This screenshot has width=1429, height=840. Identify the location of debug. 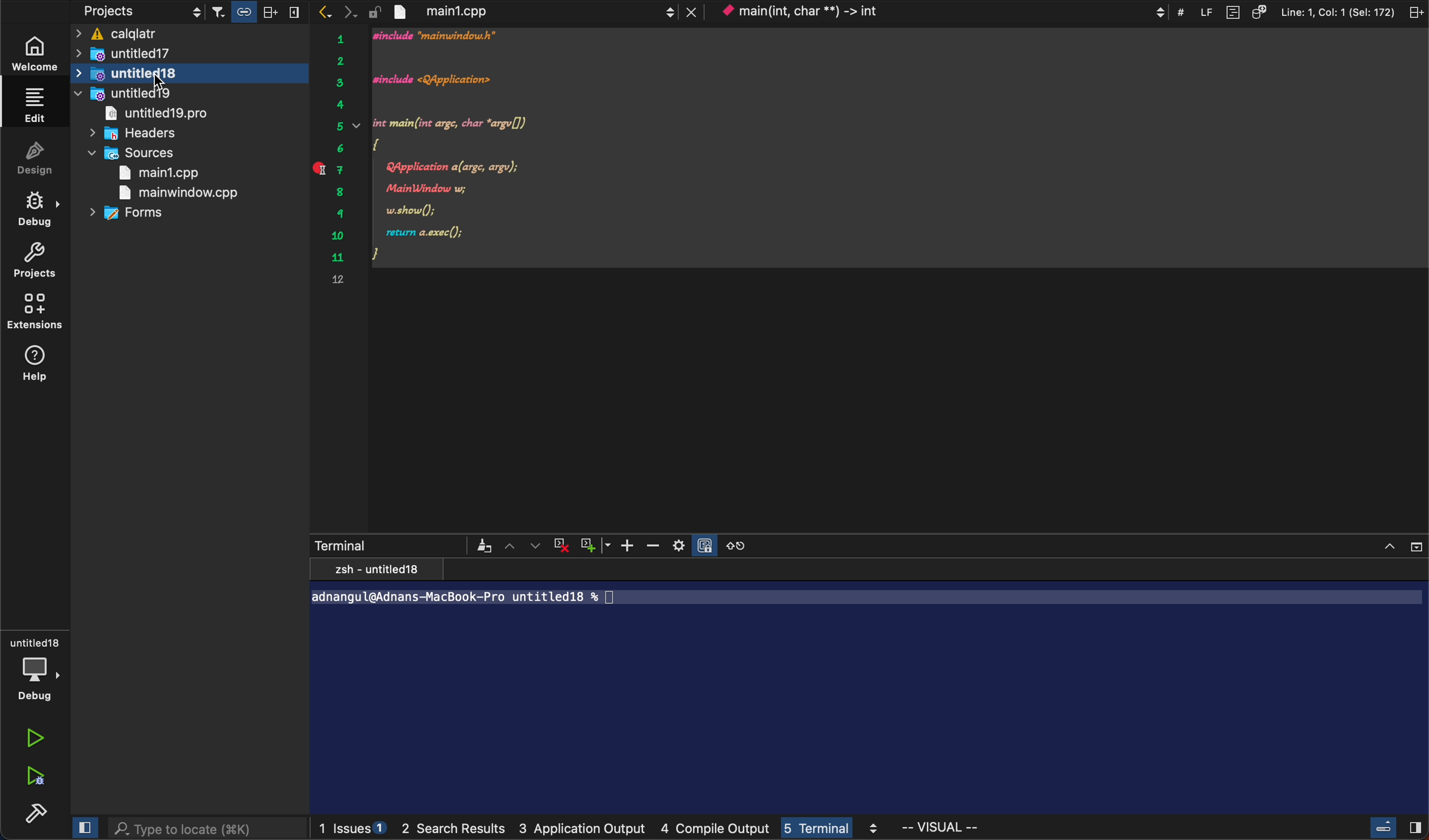
(33, 206).